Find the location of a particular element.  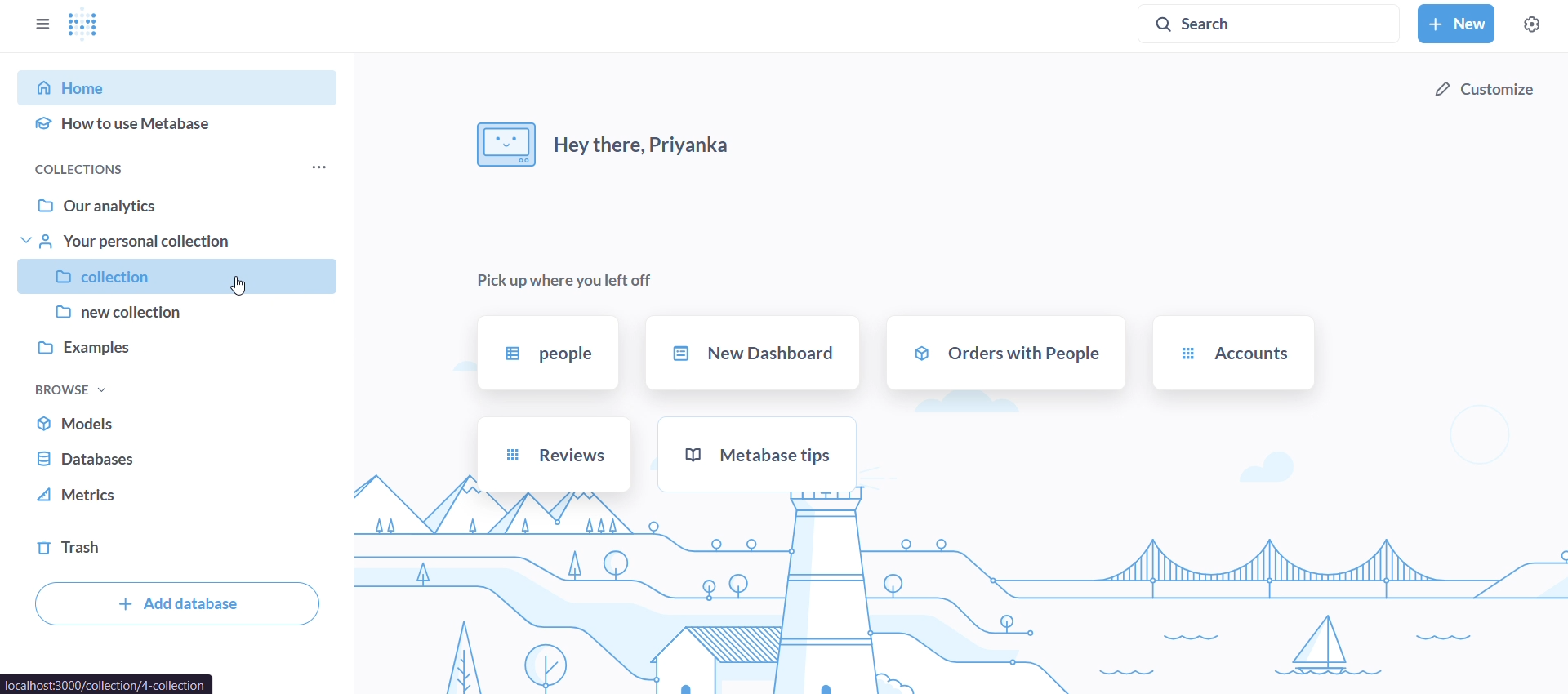

close sidebar is located at coordinates (41, 24).